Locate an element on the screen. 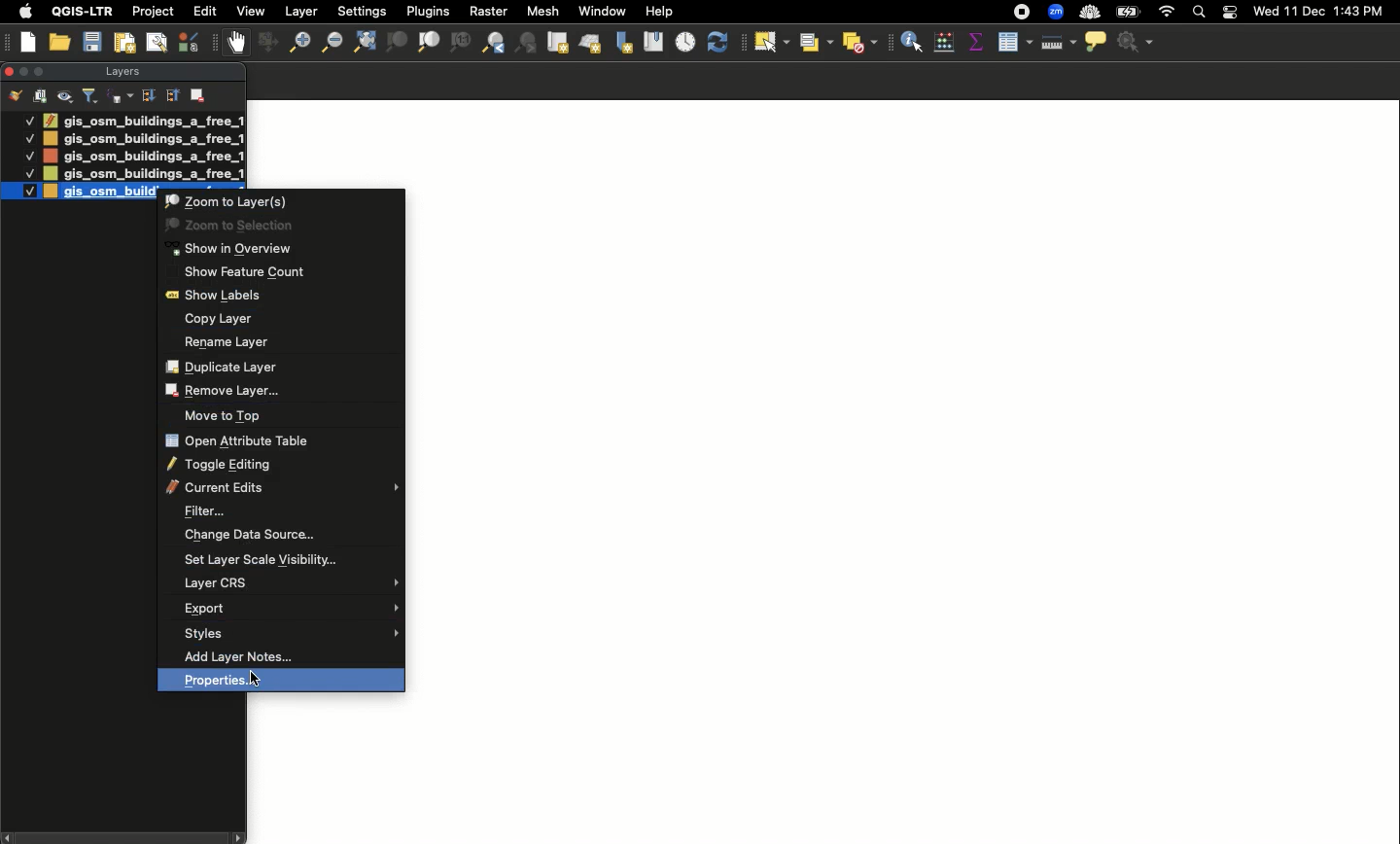  Properties is located at coordinates (281, 681).